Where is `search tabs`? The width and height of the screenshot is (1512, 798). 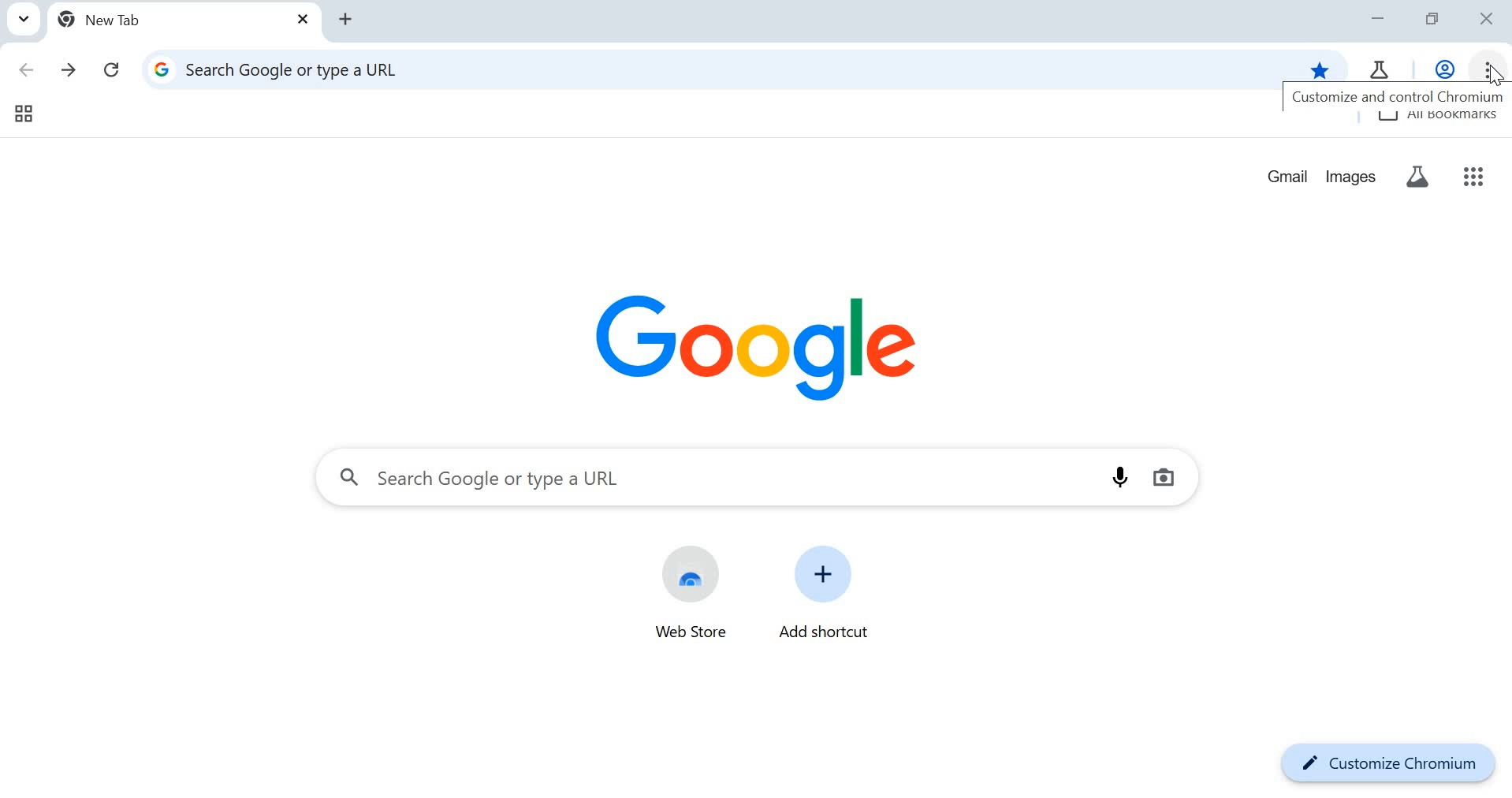 search tabs is located at coordinates (22, 17).